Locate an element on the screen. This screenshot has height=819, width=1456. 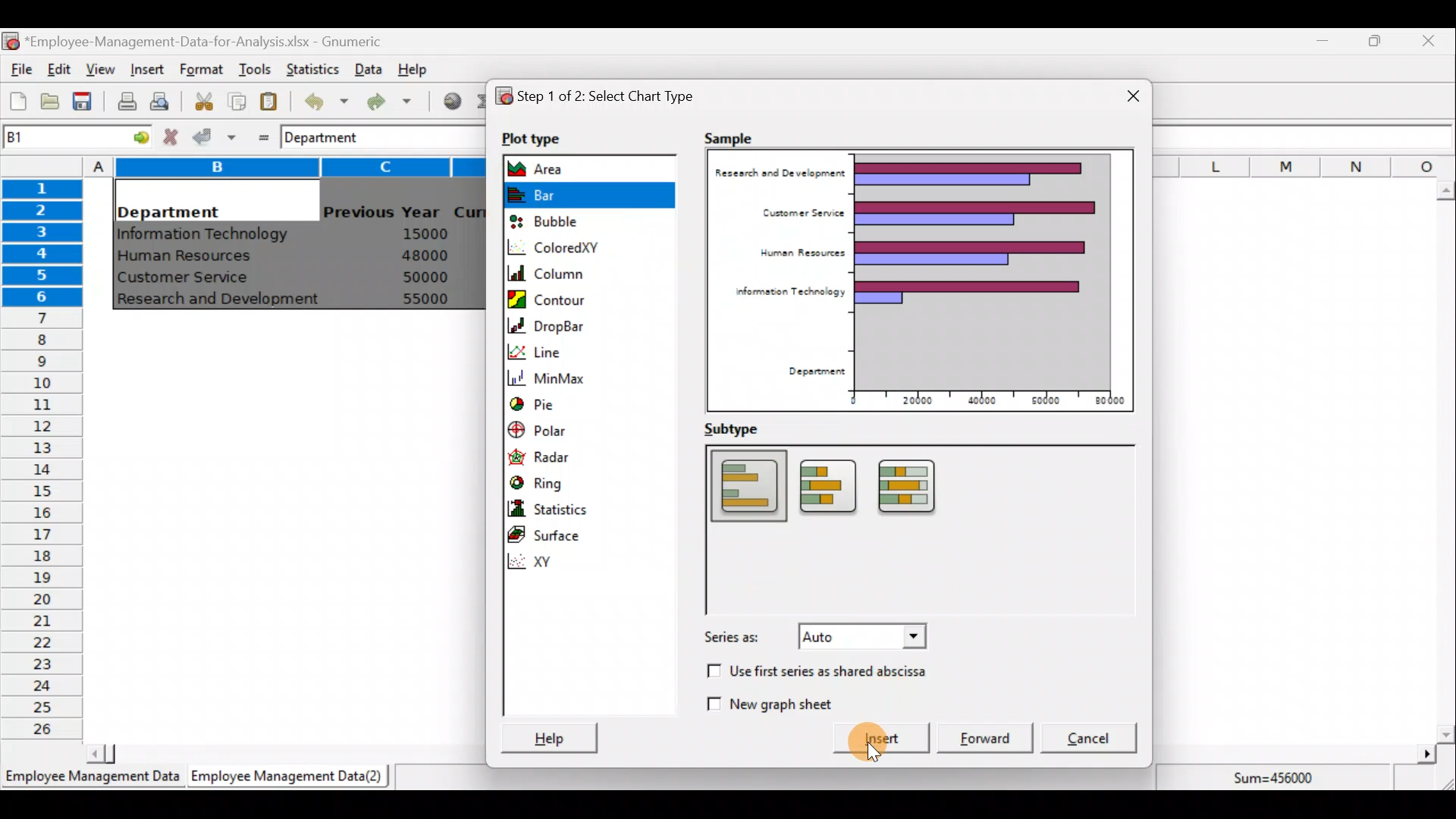
Bubble is located at coordinates (563, 223).